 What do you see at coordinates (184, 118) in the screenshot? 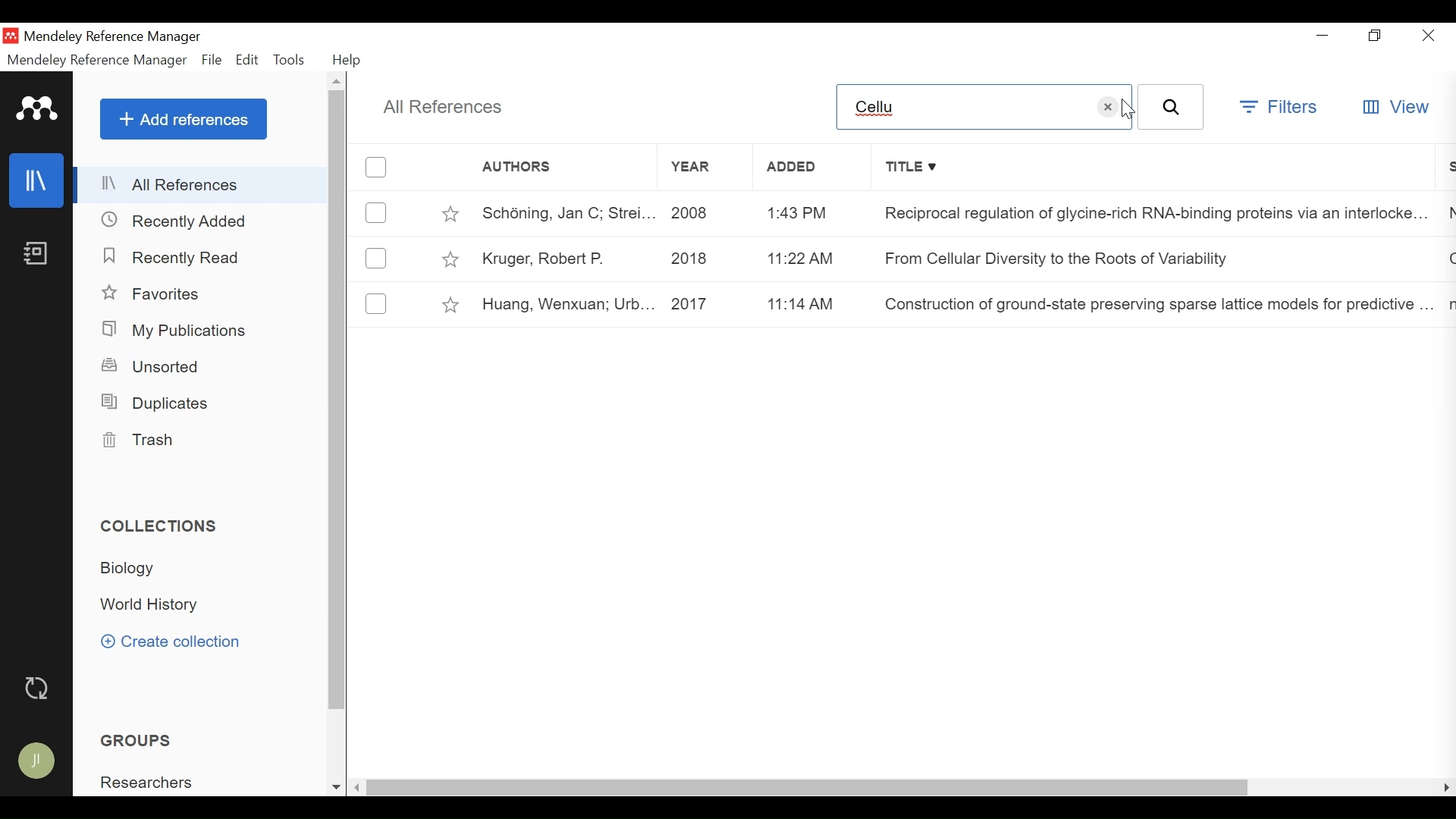
I see `Add References` at bounding box center [184, 118].